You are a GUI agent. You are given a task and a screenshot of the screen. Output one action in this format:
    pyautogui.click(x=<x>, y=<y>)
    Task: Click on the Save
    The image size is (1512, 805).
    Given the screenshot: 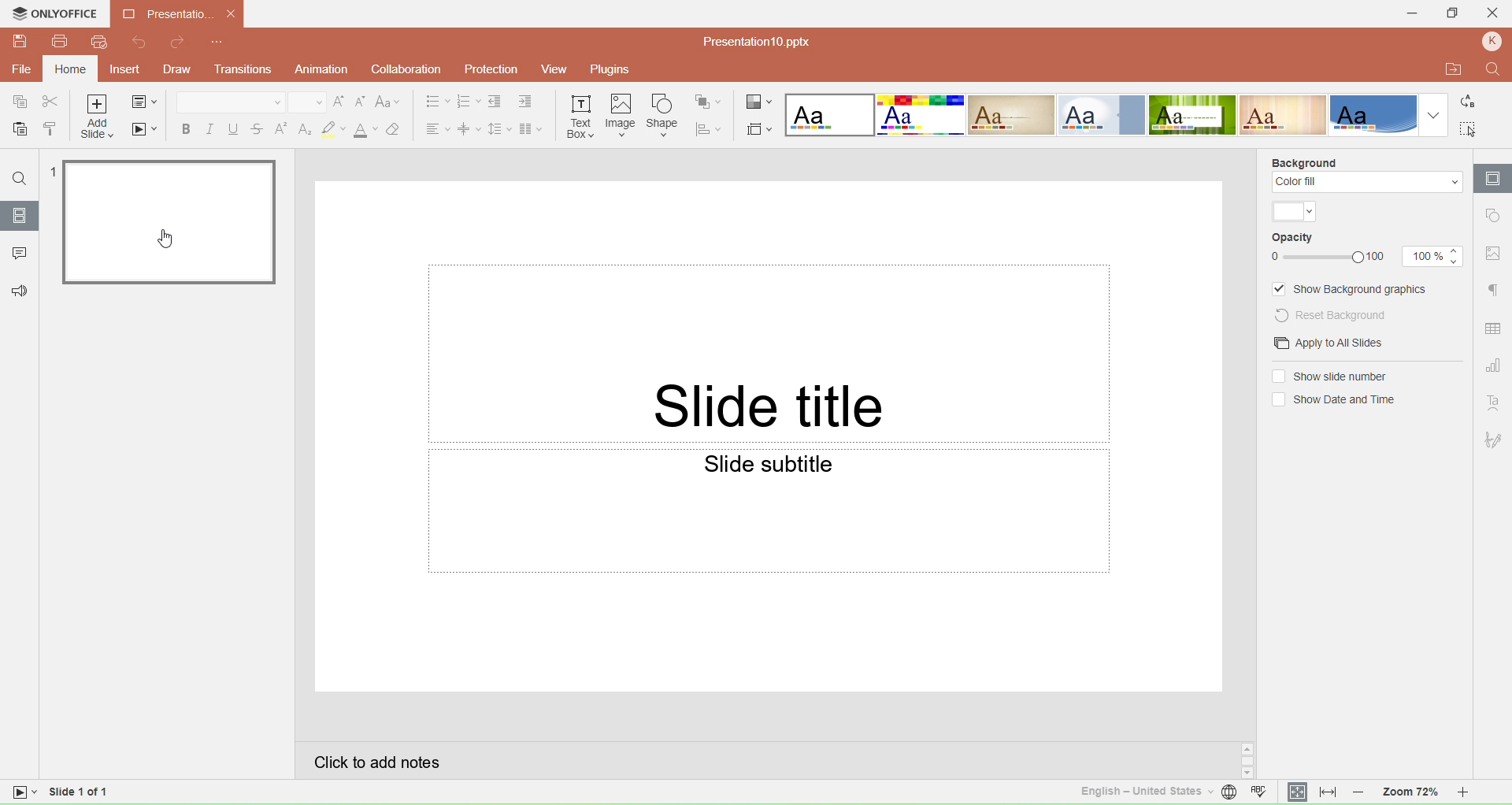 What is the action you would take?
    pyautogui.click(x=20, y=43)
    